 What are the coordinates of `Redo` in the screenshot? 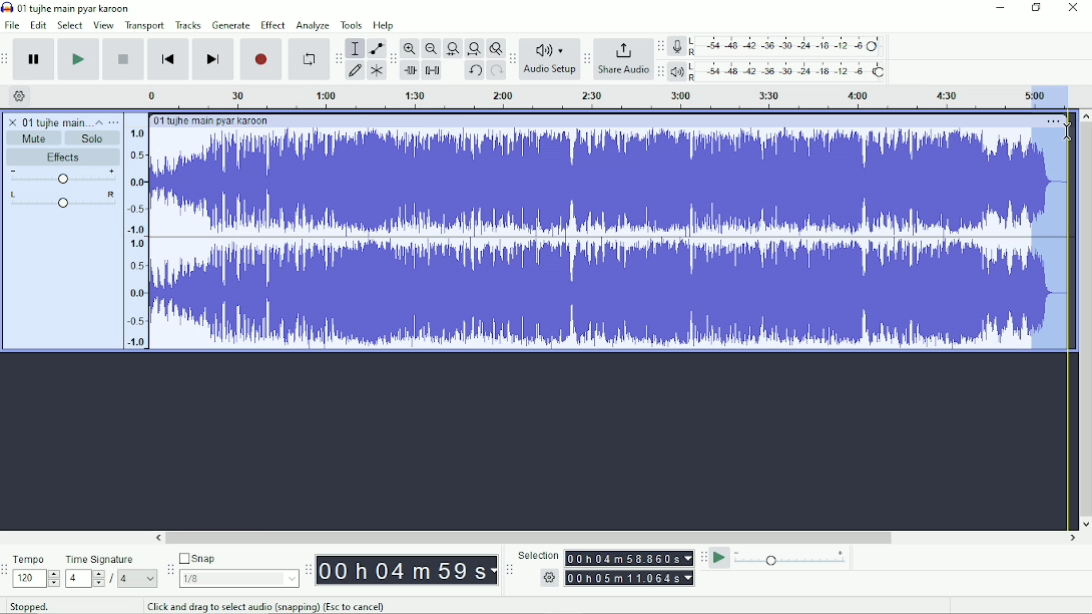 It's located at (496, 69).